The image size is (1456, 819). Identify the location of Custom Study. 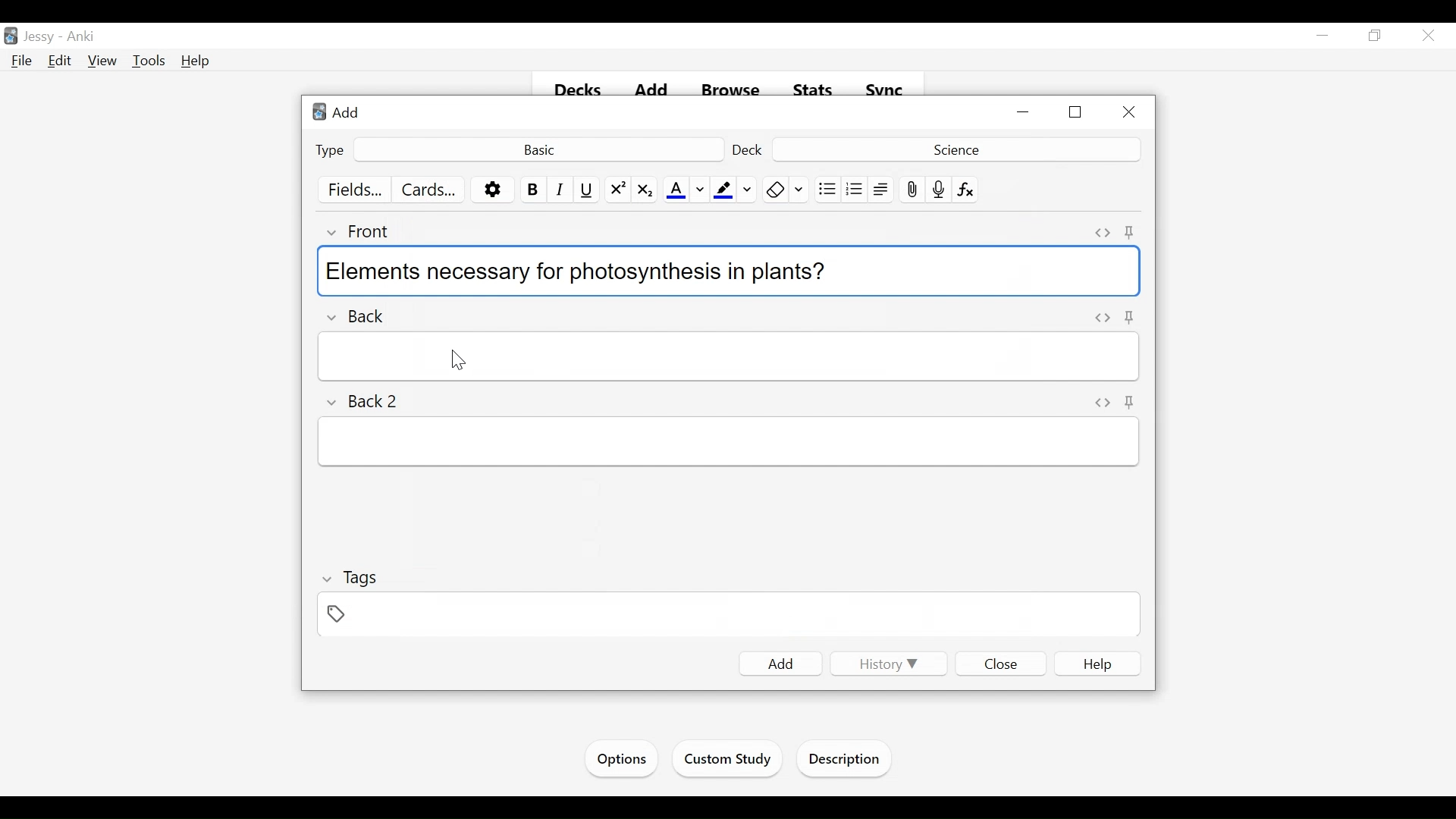
(729, 761).